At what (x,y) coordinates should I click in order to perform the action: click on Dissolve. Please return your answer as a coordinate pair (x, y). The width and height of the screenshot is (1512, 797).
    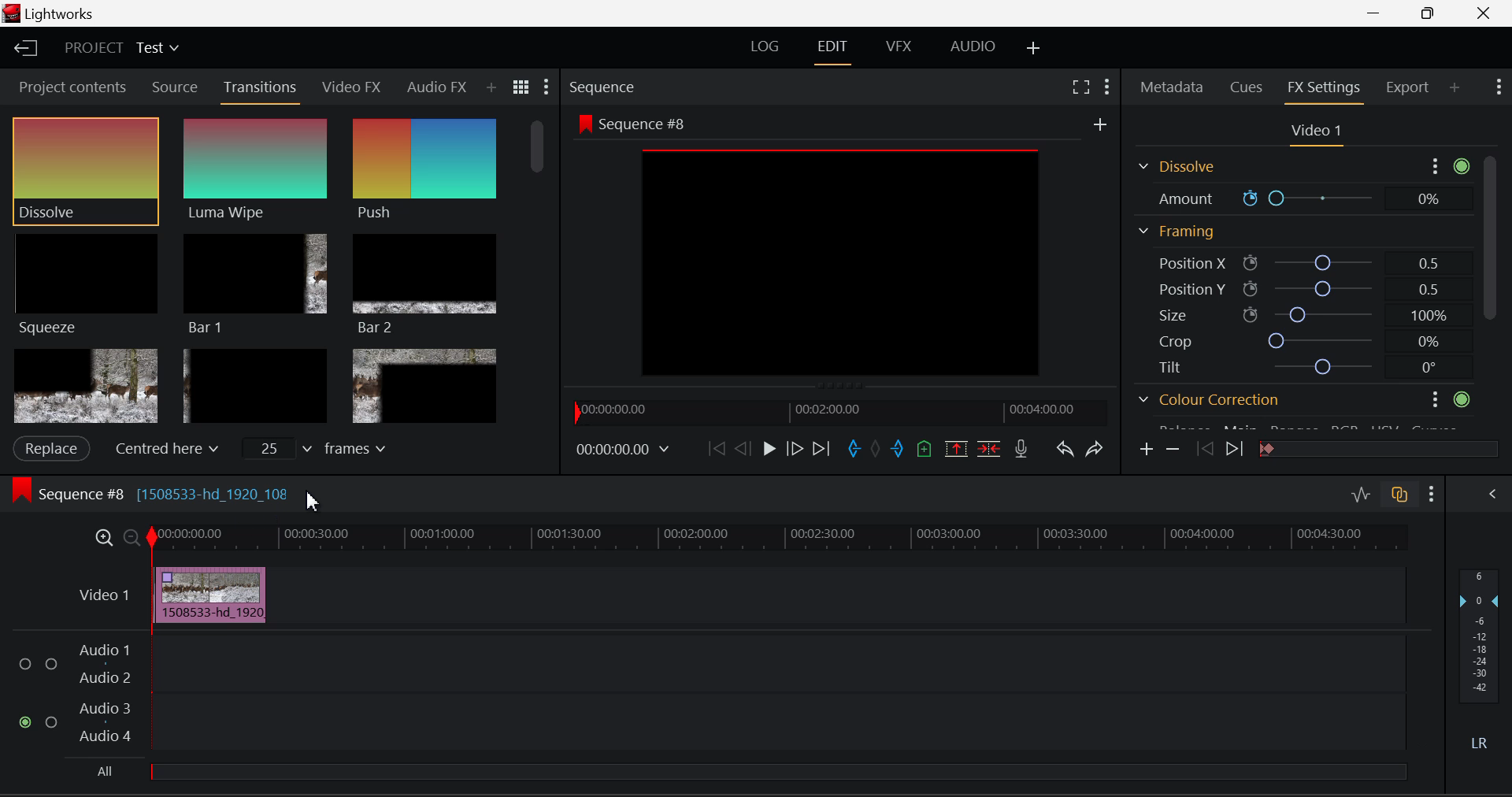
    Looking at the image, I should click on (1177, 168).